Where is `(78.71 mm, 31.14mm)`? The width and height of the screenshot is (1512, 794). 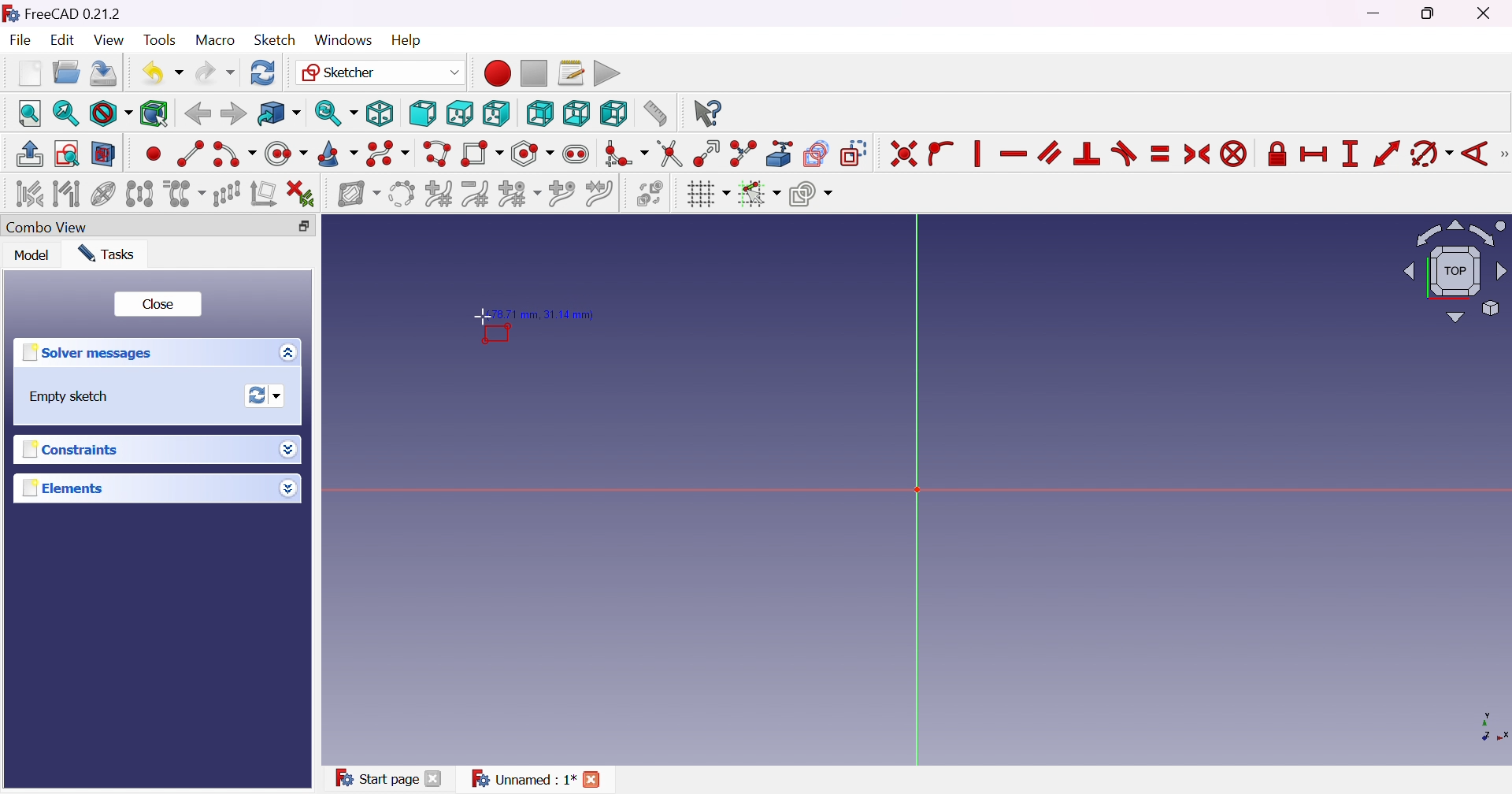 (78.71 mm, 31.14mm) is located at coordinates (542, 315).